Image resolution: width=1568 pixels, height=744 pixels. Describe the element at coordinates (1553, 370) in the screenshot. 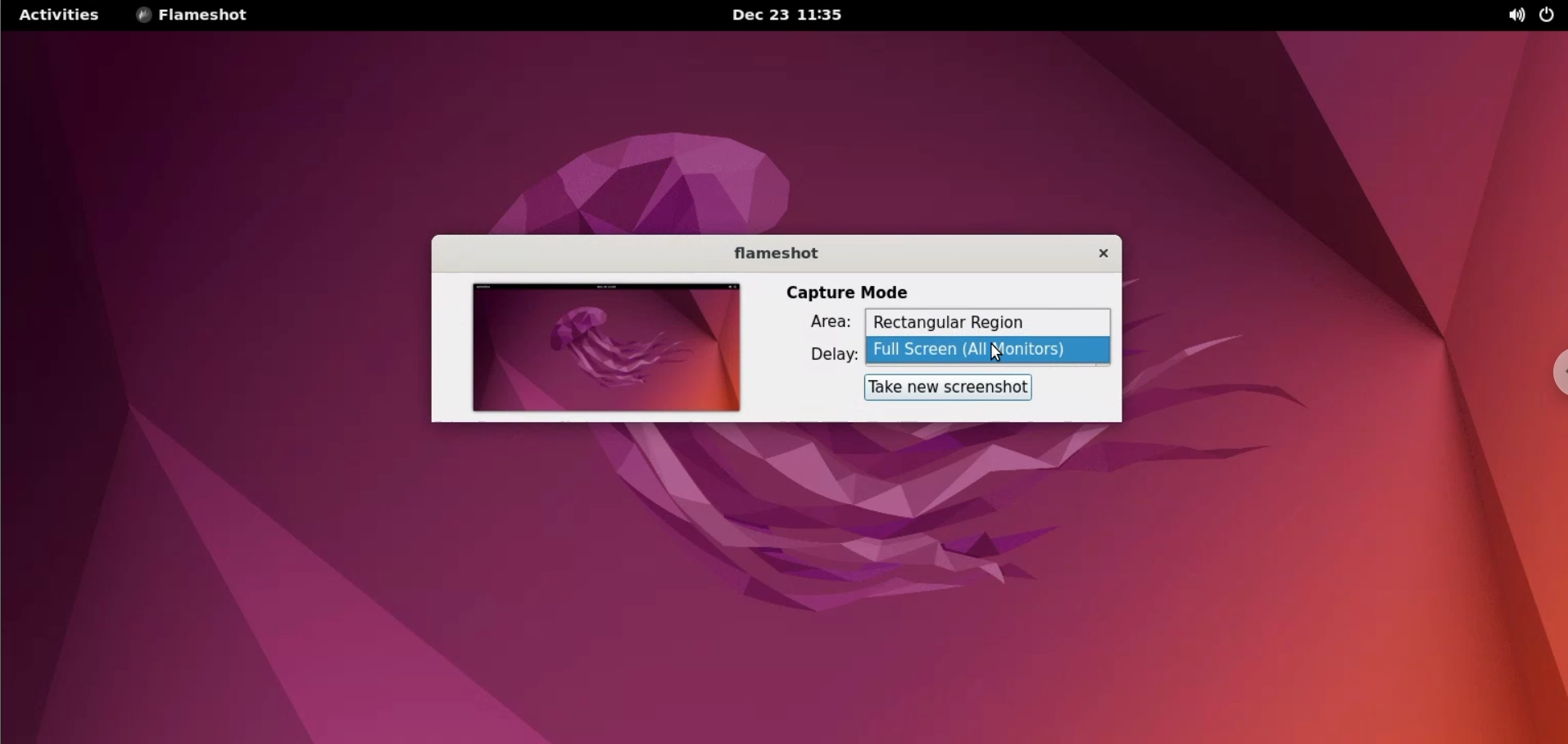

I see `chrome options` at that location.